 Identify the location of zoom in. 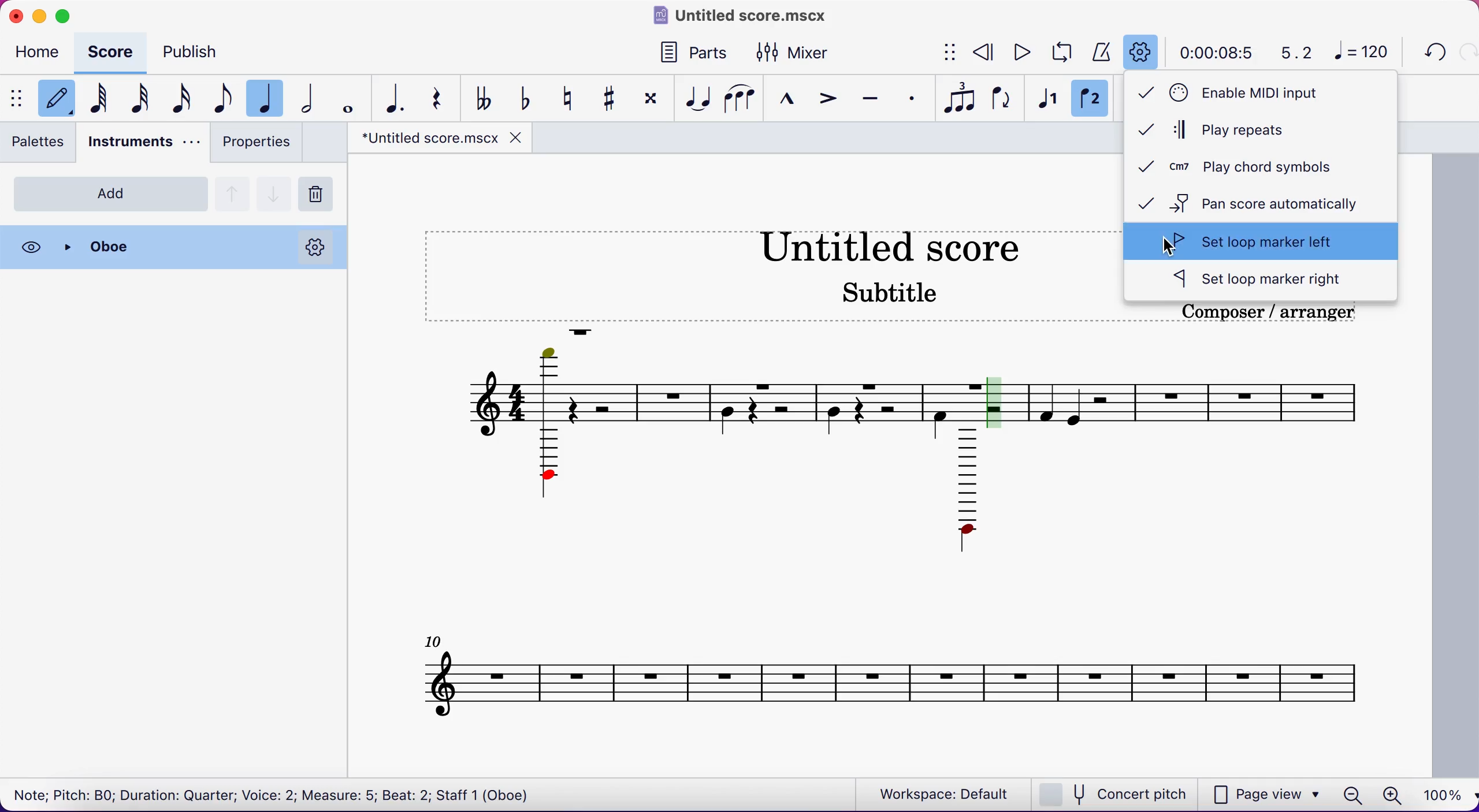
(1391, 792).